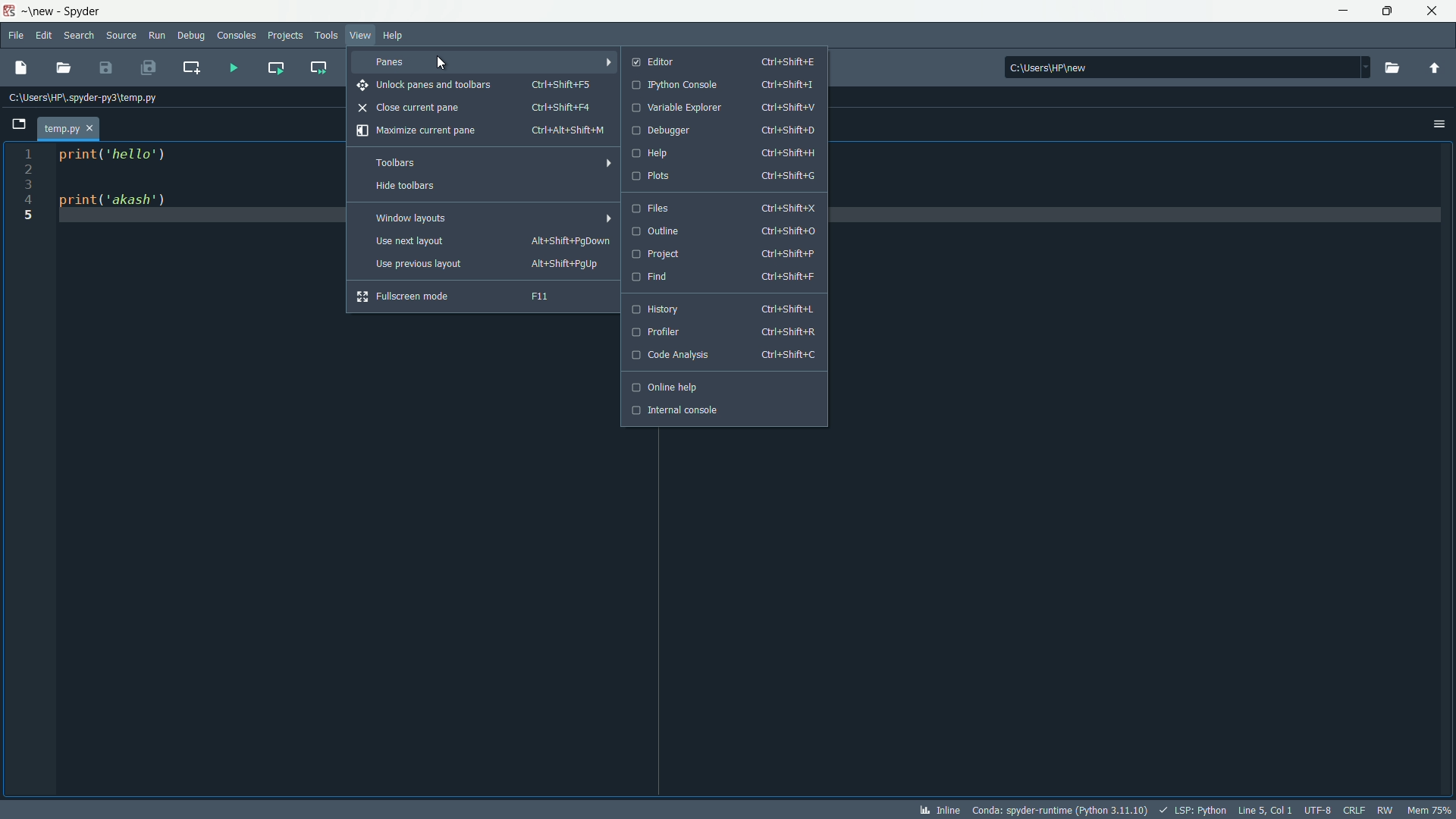 The image size is (1456, 819). I want to click on pilots, so click(728, 175).